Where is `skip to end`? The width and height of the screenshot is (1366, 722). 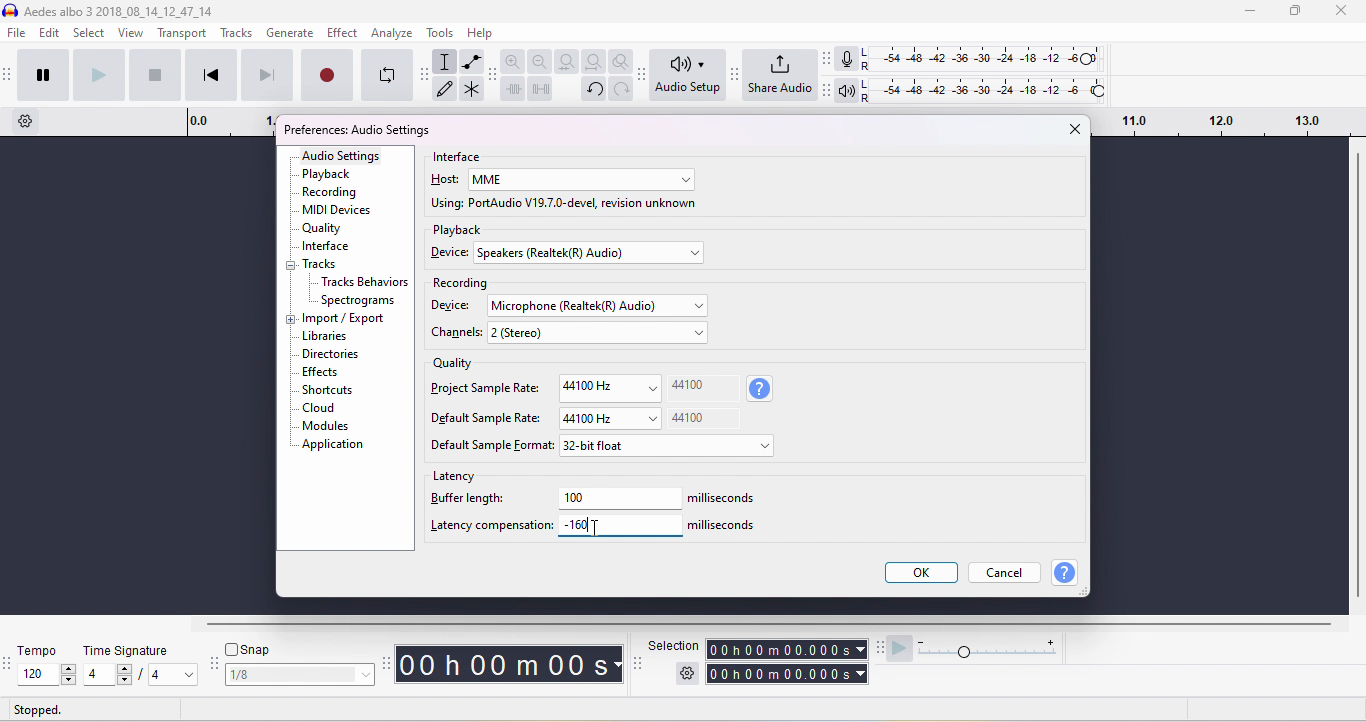 skip to end is located at coordinates (266, 74).